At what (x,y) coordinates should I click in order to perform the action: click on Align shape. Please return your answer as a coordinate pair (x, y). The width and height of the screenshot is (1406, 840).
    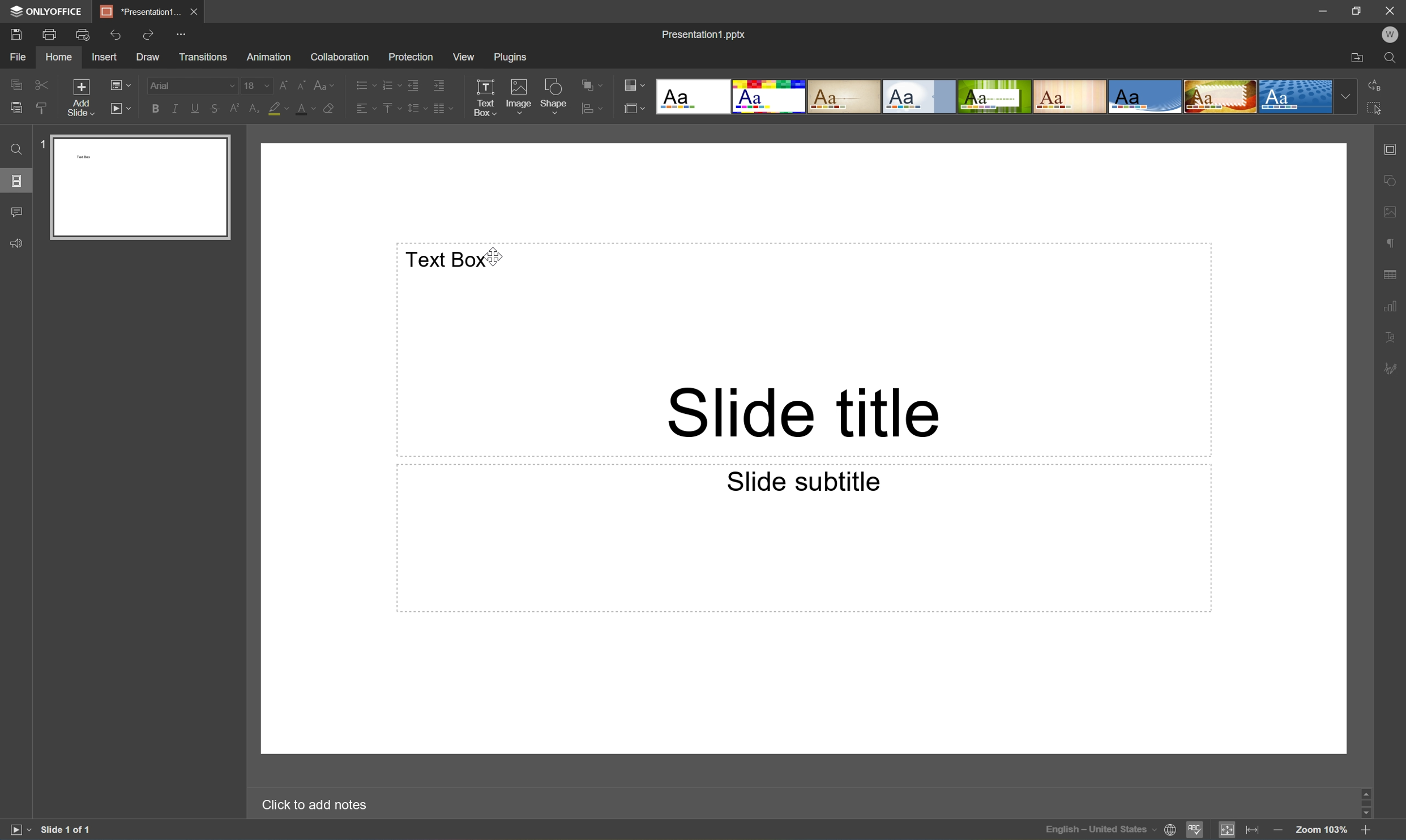
    Looking at the image, I should click on (594, 108).